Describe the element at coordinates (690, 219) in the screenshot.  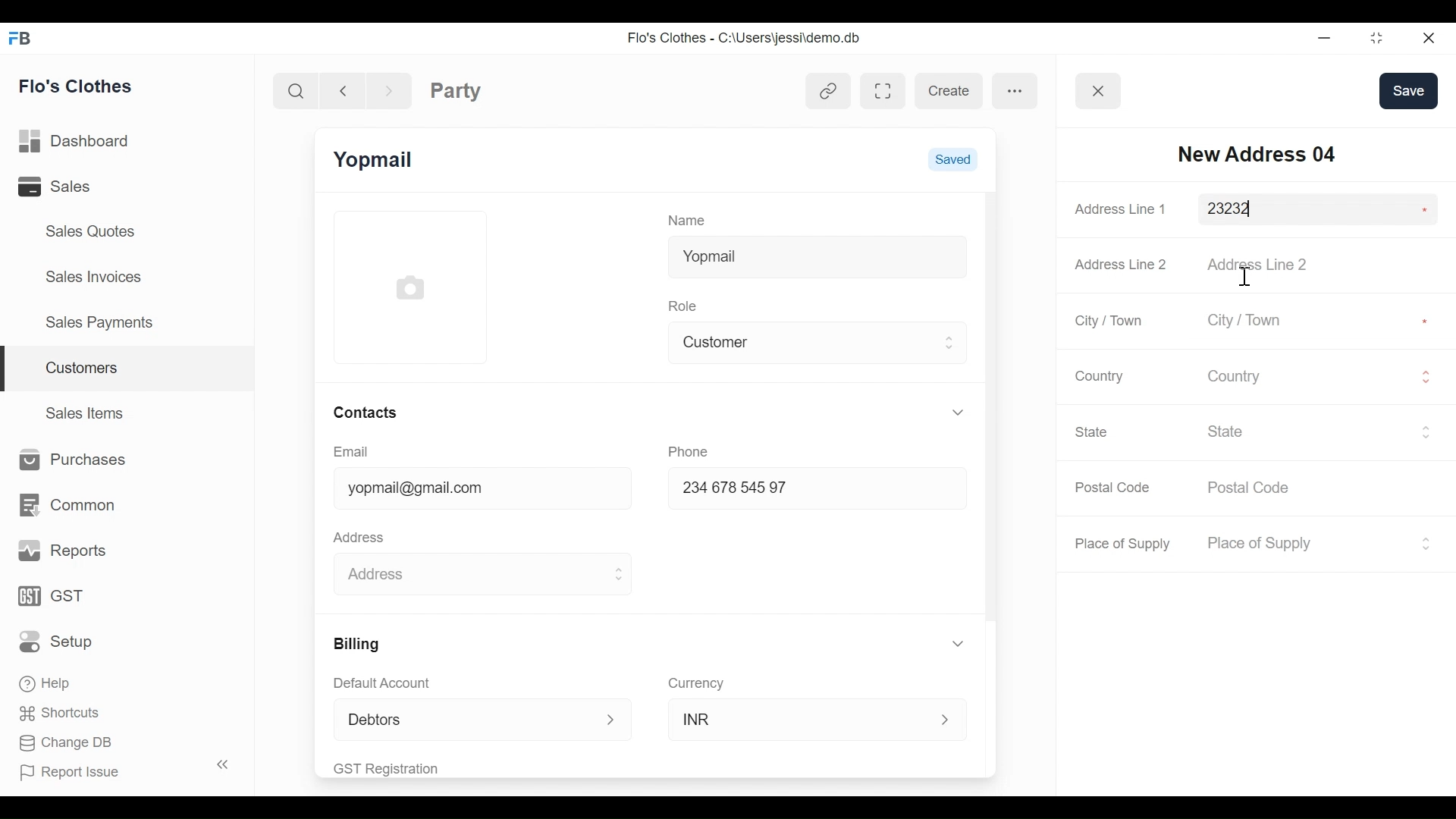
I see `Name` at that location.